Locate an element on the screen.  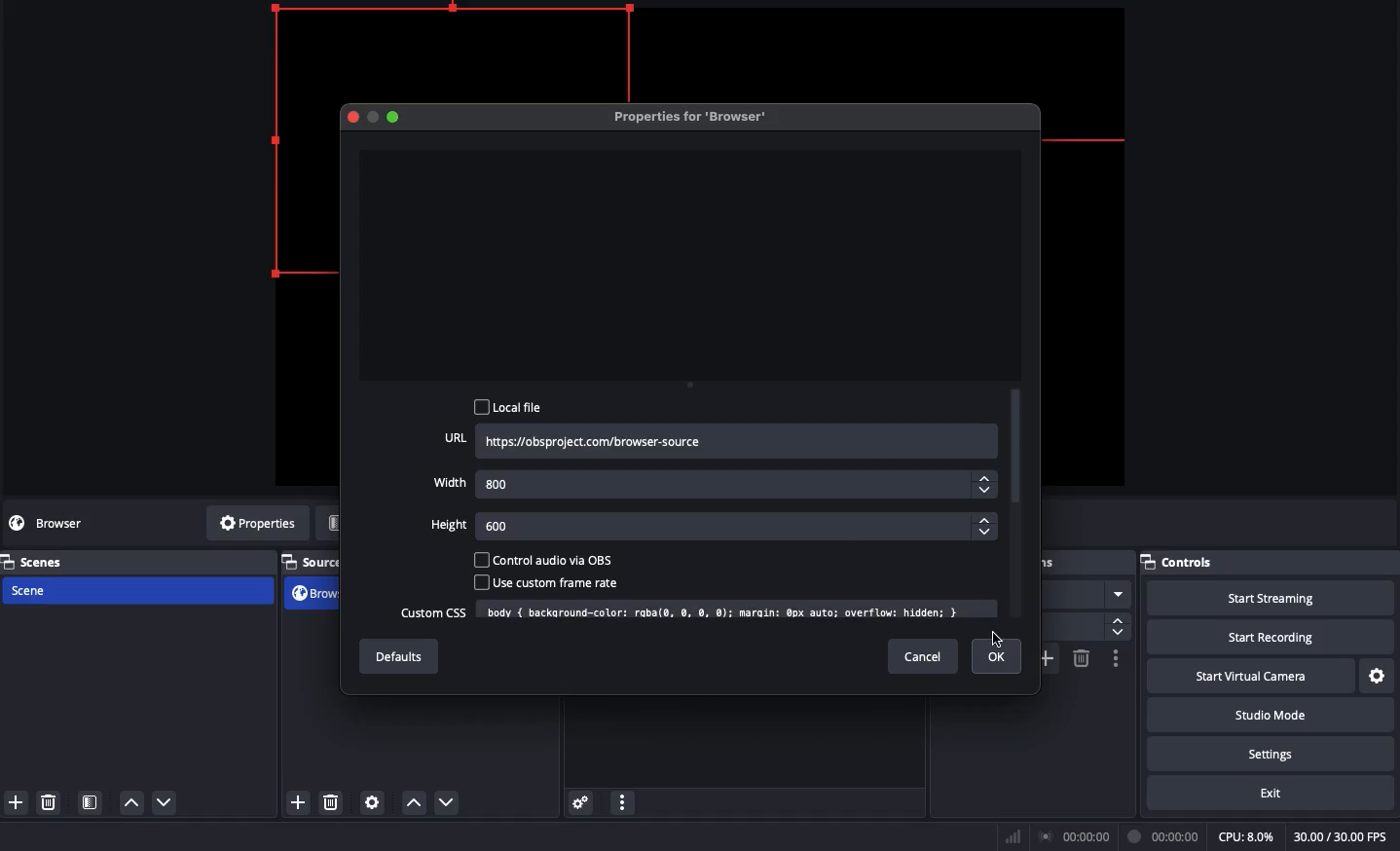
Move up is located at coordinates (411, 801).